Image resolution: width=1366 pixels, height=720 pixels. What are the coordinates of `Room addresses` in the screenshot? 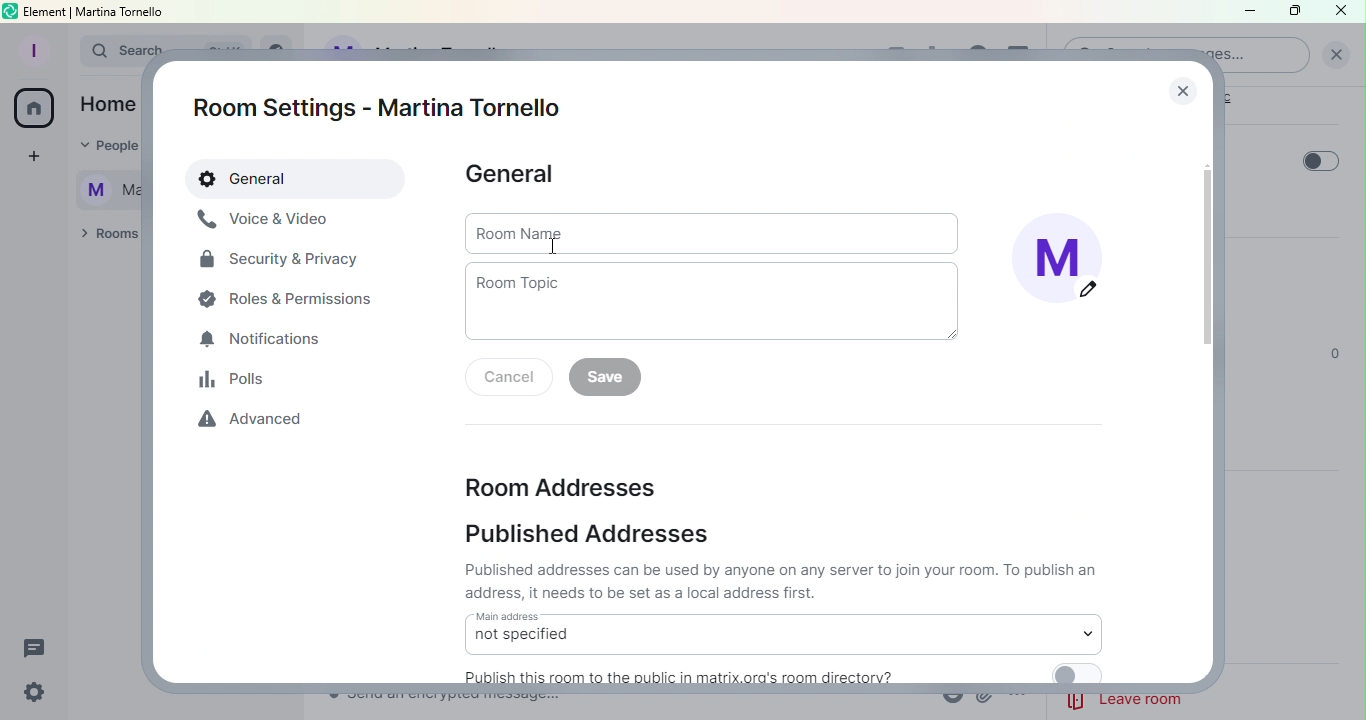 It's located at (560, 485).